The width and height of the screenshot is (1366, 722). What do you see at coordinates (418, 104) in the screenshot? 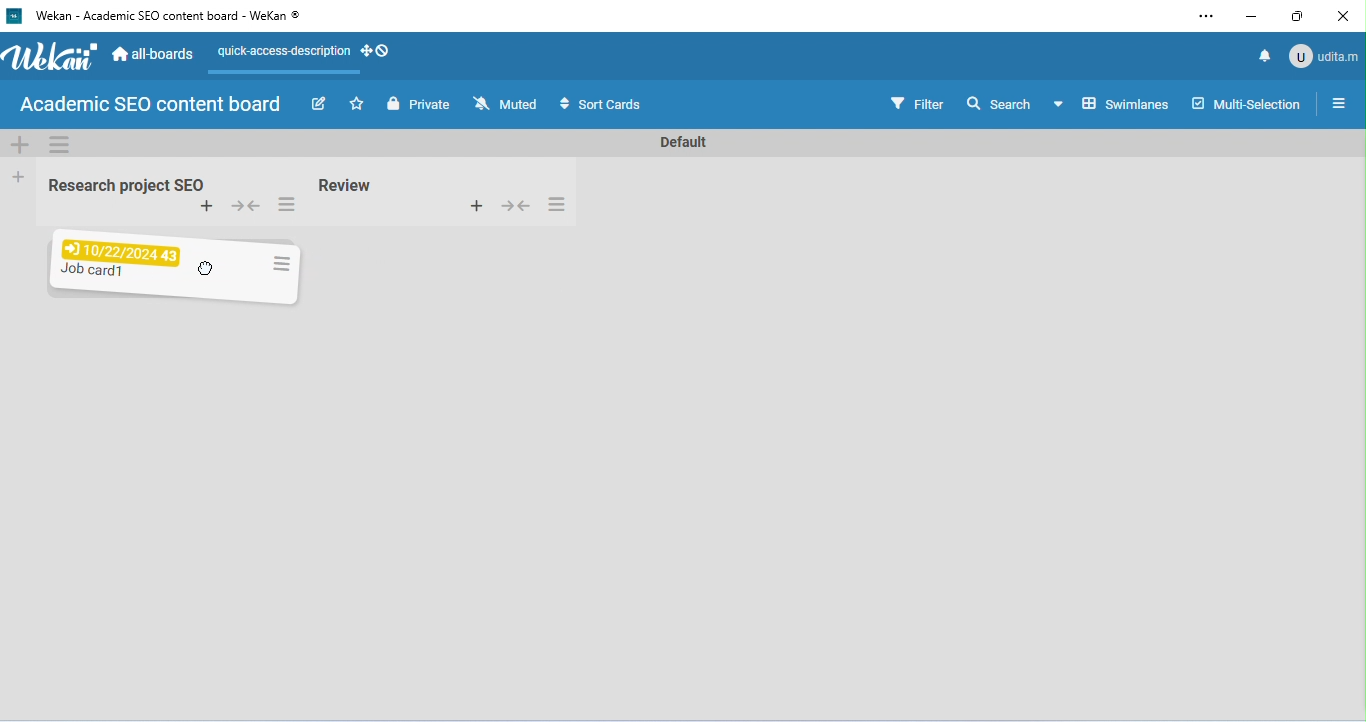
I see `private` at bounding box center [418, 104].